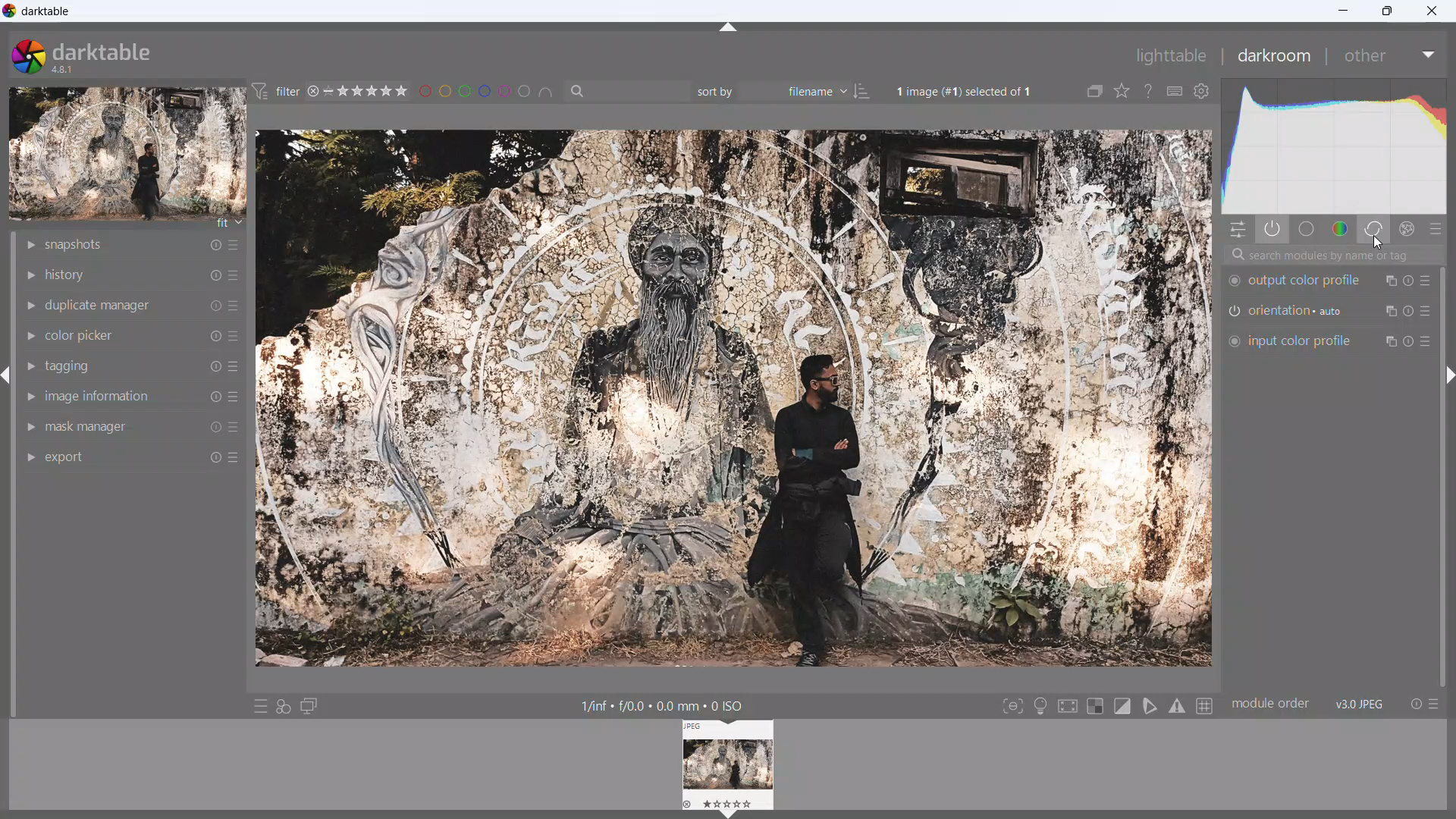  What do you see at coordinates (1202, 91) in the screenshot?
I see `global preferences` at bounding box center [1202, 91].